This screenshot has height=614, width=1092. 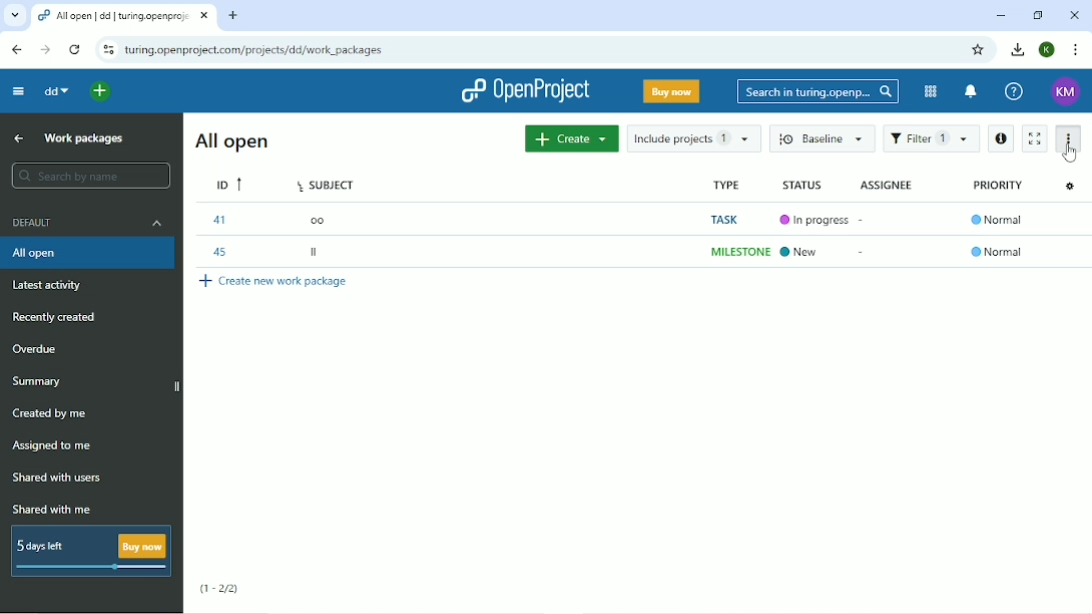 I want to click on Open details view, so click(x=1001, y=140).